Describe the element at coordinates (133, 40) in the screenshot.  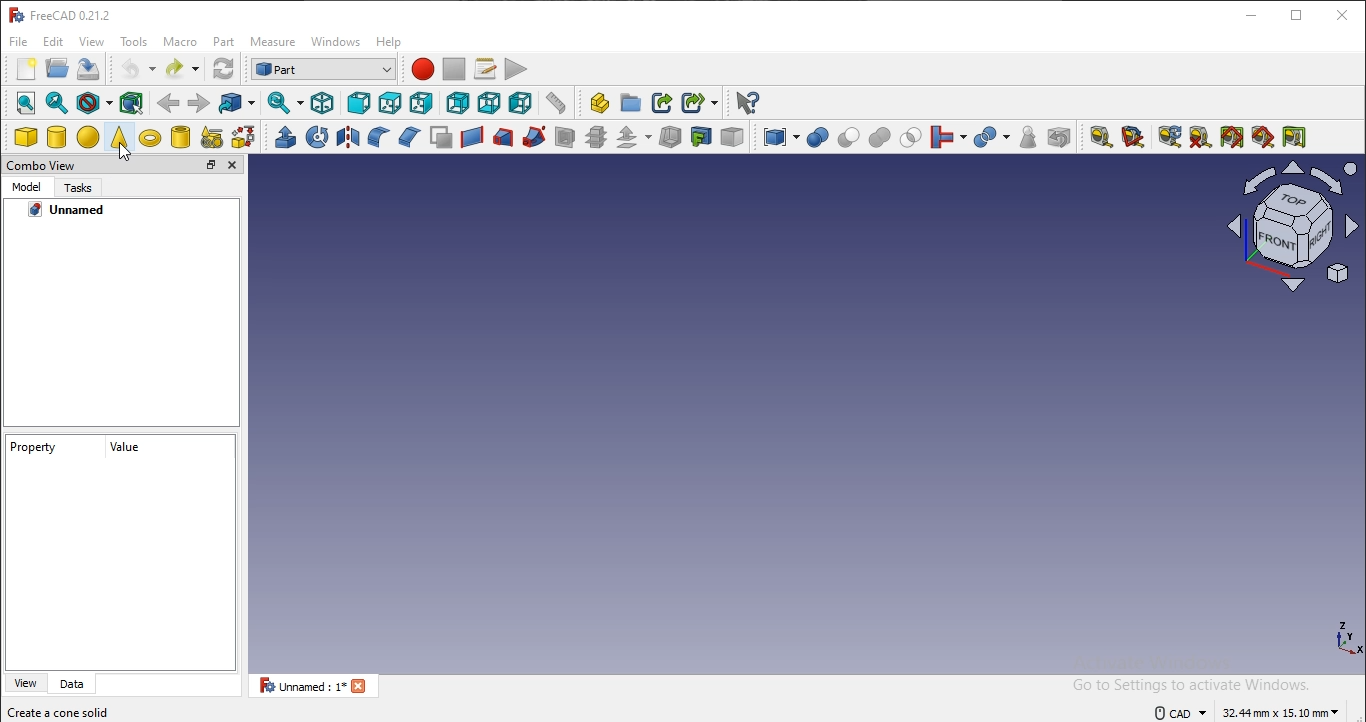
I see `tools` at that location.